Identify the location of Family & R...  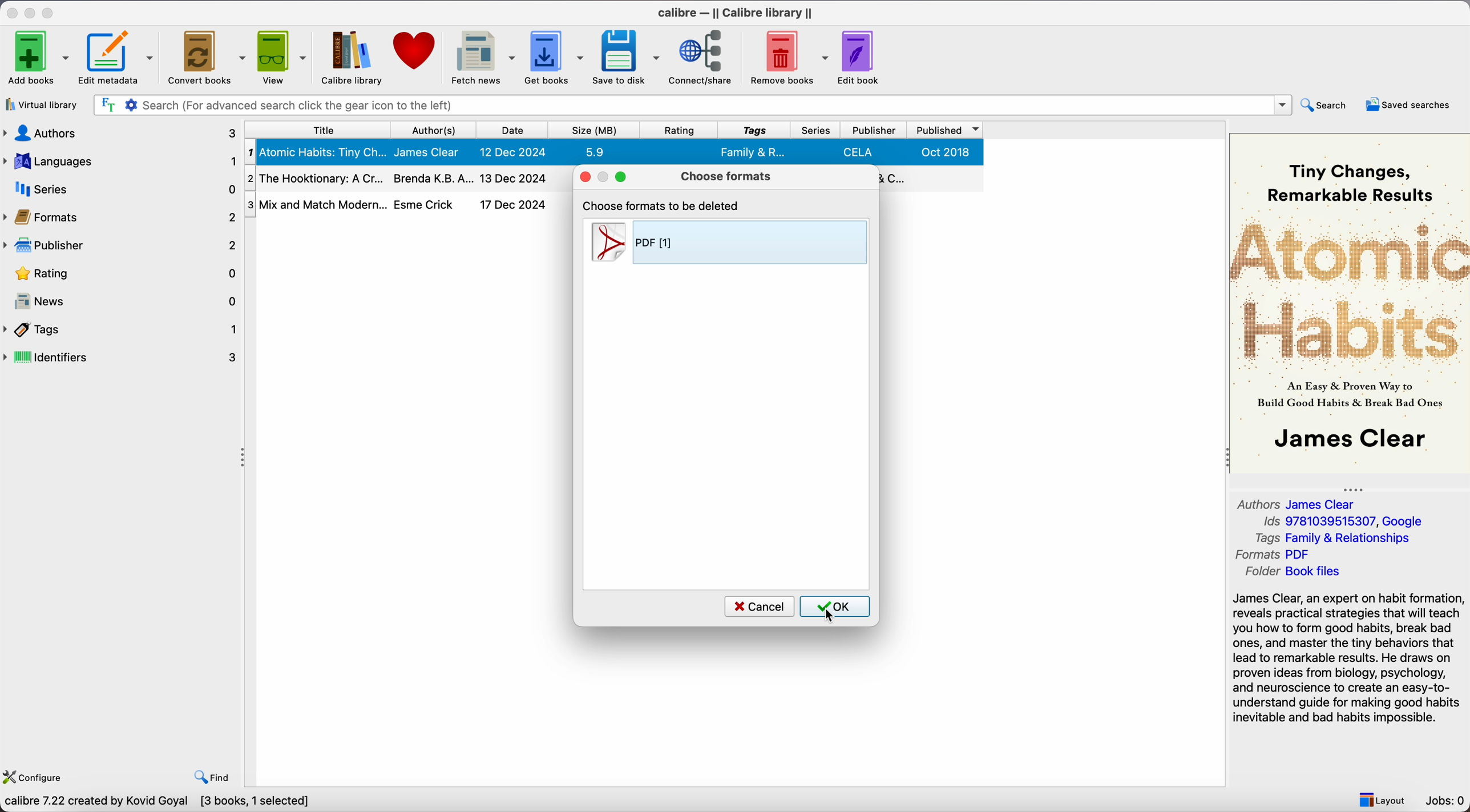
(751, 152).